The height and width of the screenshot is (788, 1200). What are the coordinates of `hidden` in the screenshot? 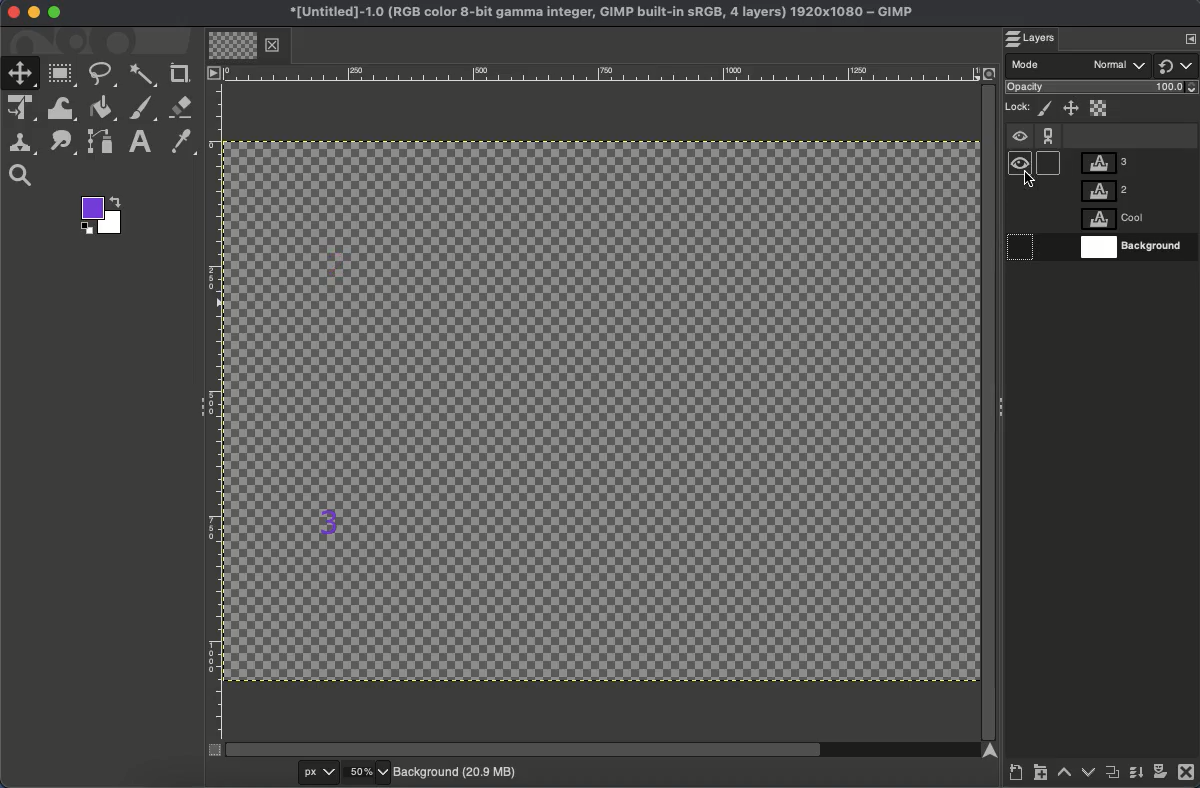 It's located at (1048, 161).